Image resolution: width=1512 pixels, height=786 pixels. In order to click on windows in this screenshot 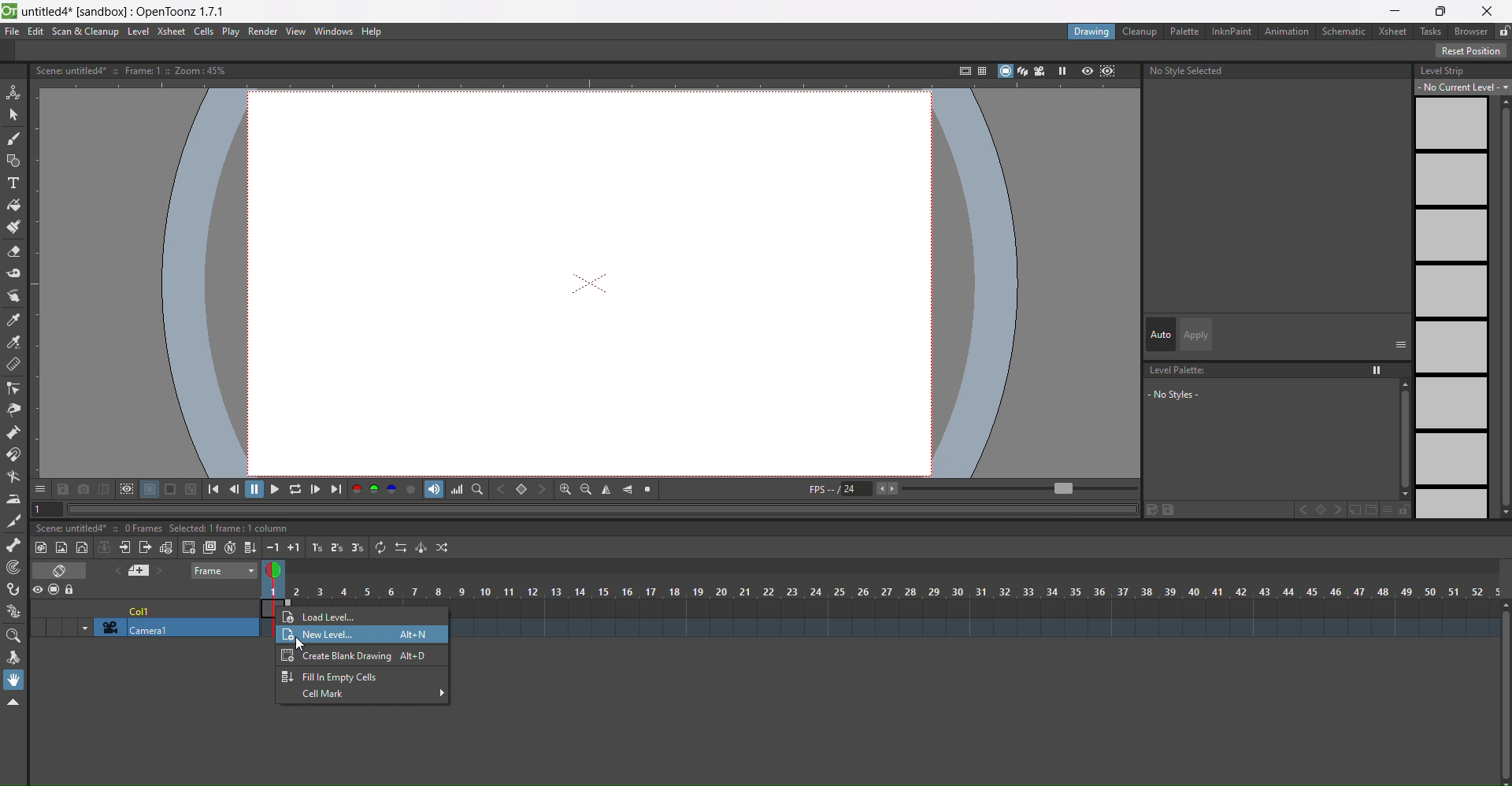, I will do `click(335, 32)`.